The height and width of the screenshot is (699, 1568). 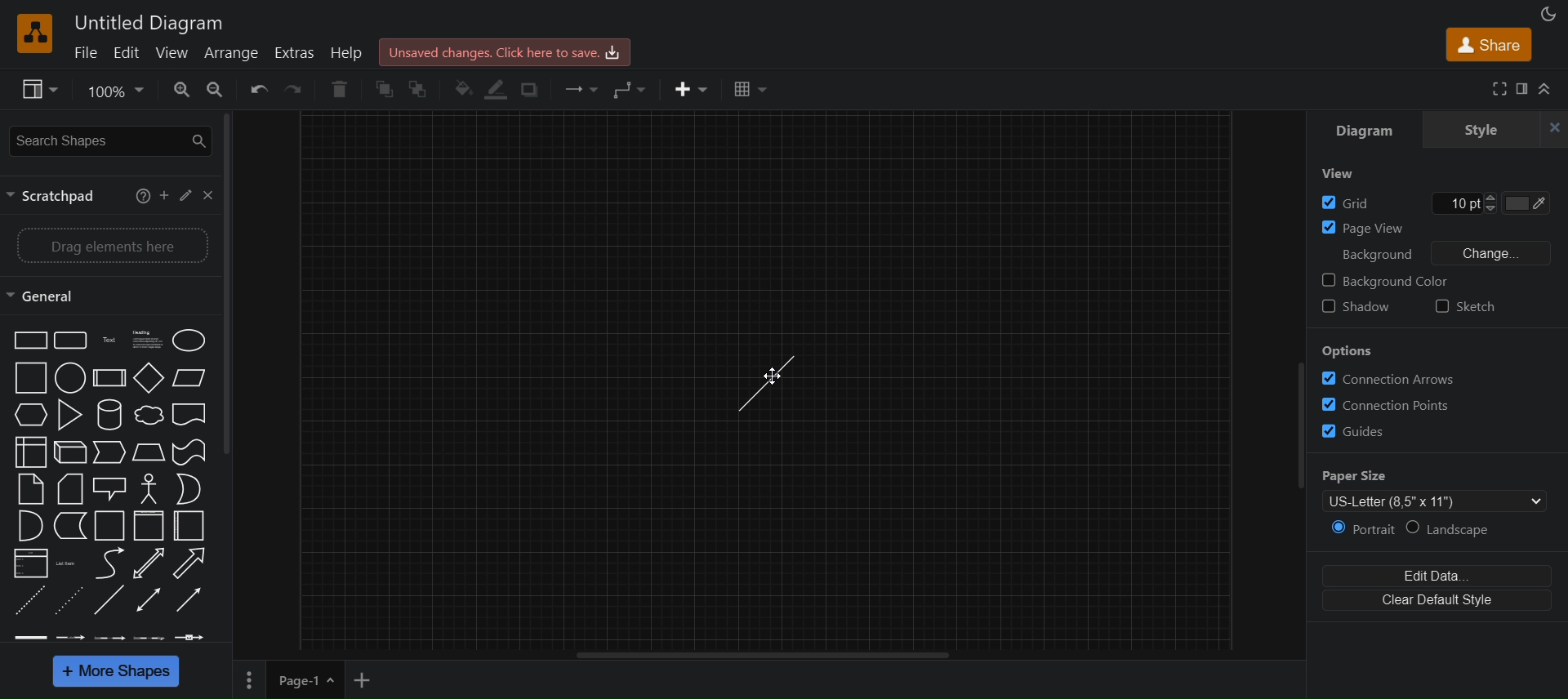 What do you see at coordinates (1347, 350) in the screenshot?
I see `options` at bounding box center [1347, 350].